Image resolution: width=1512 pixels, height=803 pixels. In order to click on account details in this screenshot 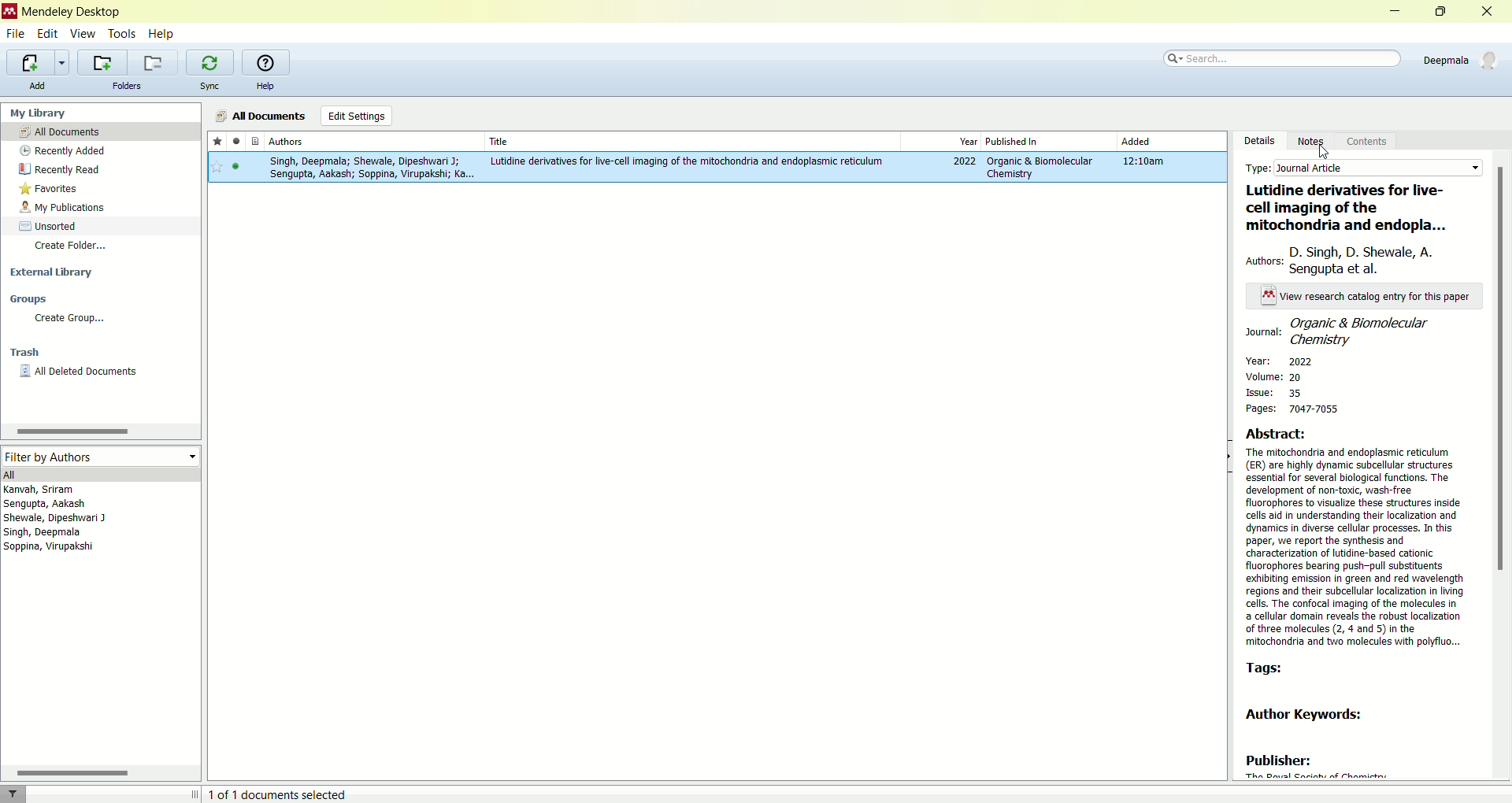, I will do `click(1459, 58)`.